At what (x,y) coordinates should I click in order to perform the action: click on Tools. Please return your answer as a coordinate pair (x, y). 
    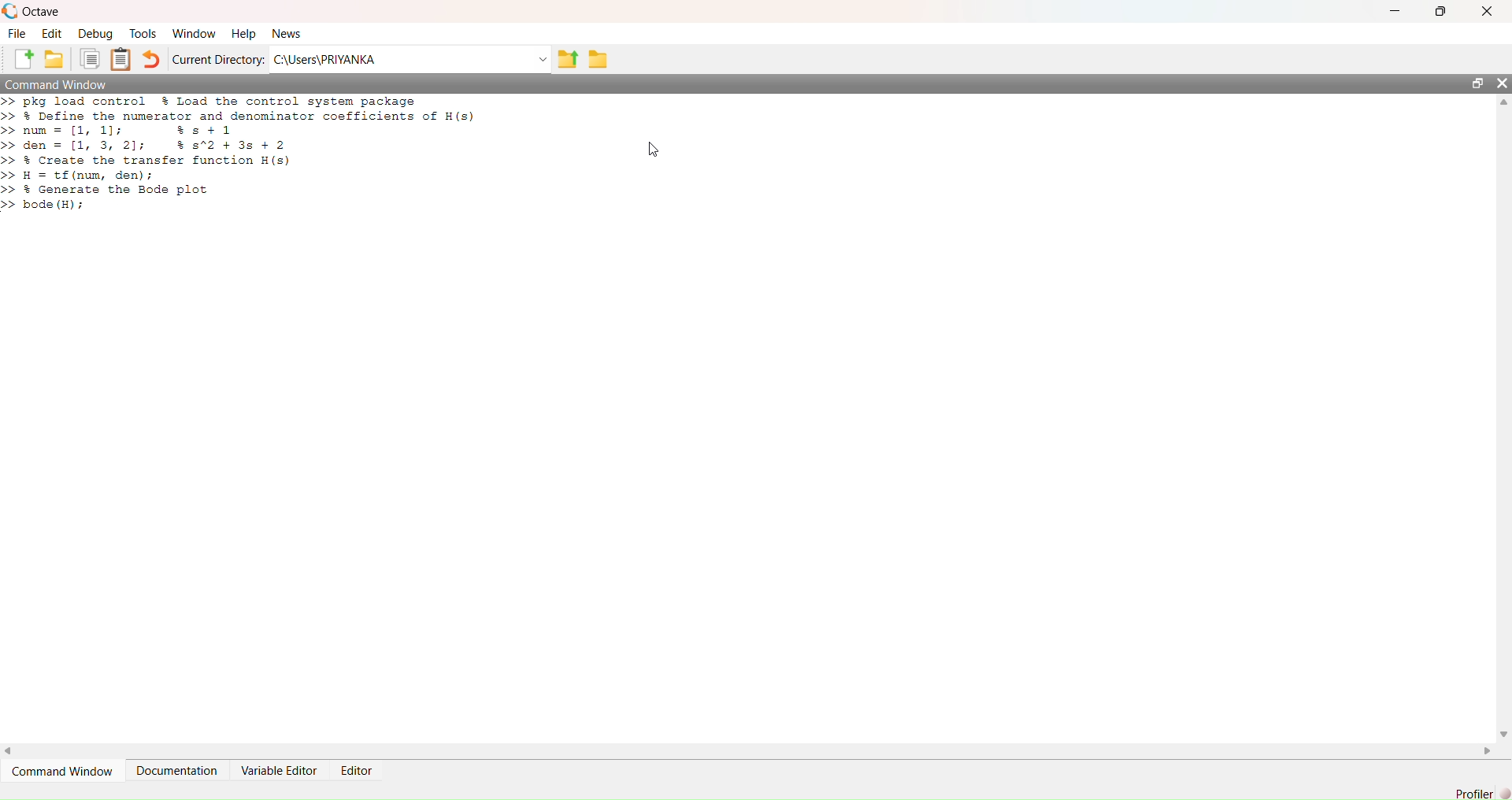
    Looking at the image, I should click on (143, 34).